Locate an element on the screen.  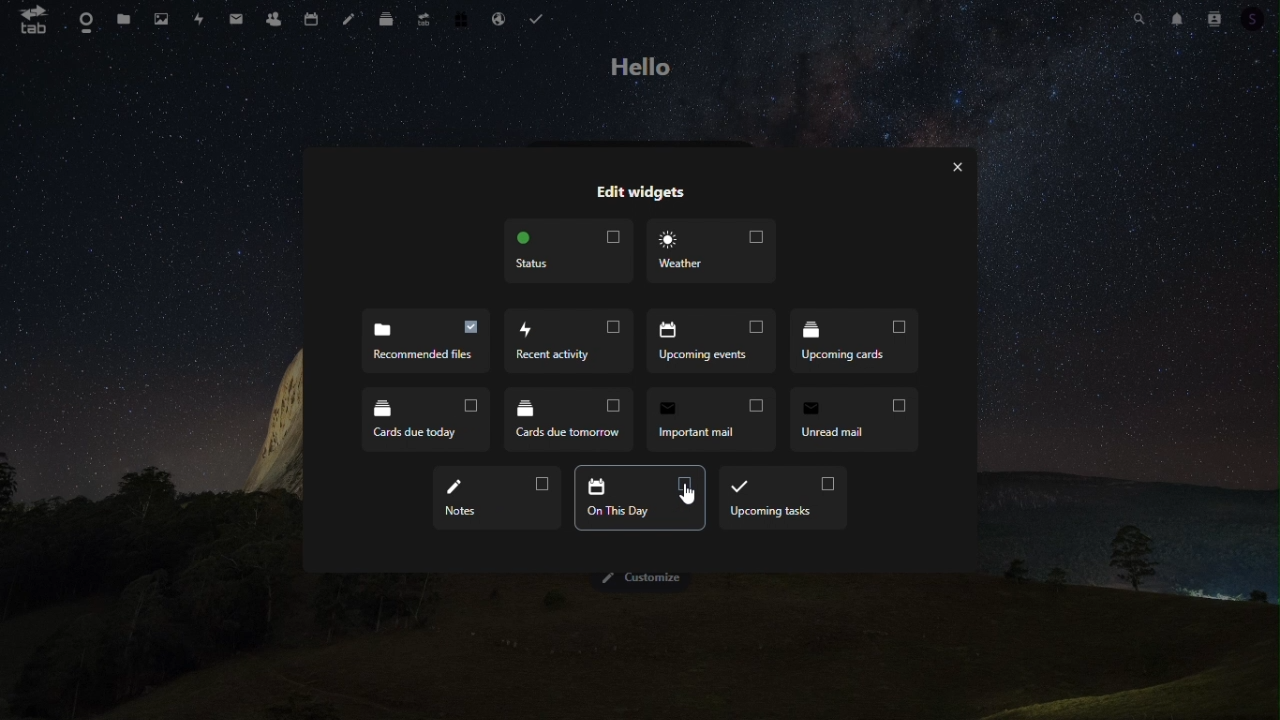
upcoming cards is located at coordinates (712, 343).